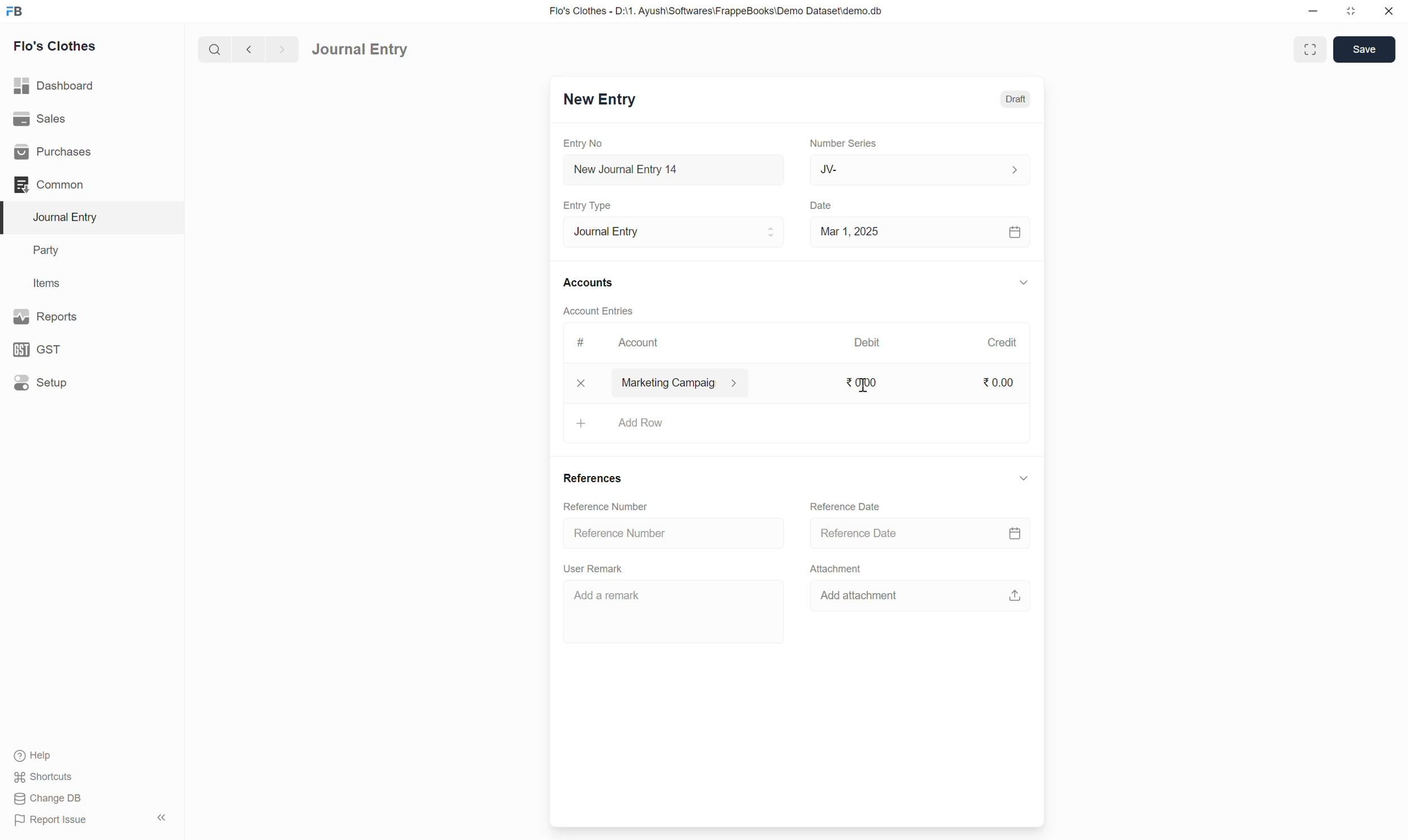 This screenshot has width=1408, height=840. Describe the element at coordinates (39, 117) in the screenshot. I see `Sales` at that location.